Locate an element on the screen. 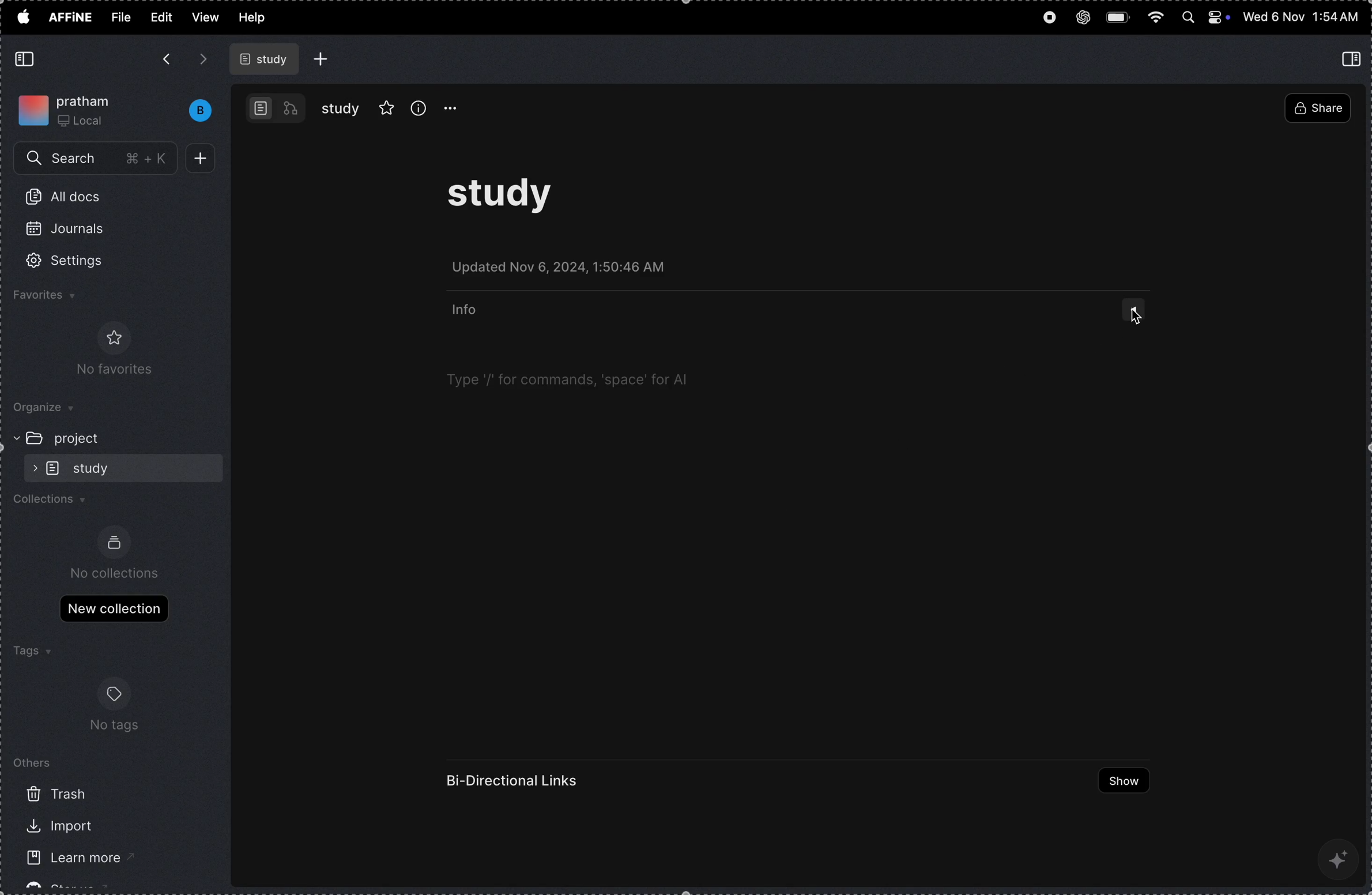  settings is located at coordinates (80, 261).